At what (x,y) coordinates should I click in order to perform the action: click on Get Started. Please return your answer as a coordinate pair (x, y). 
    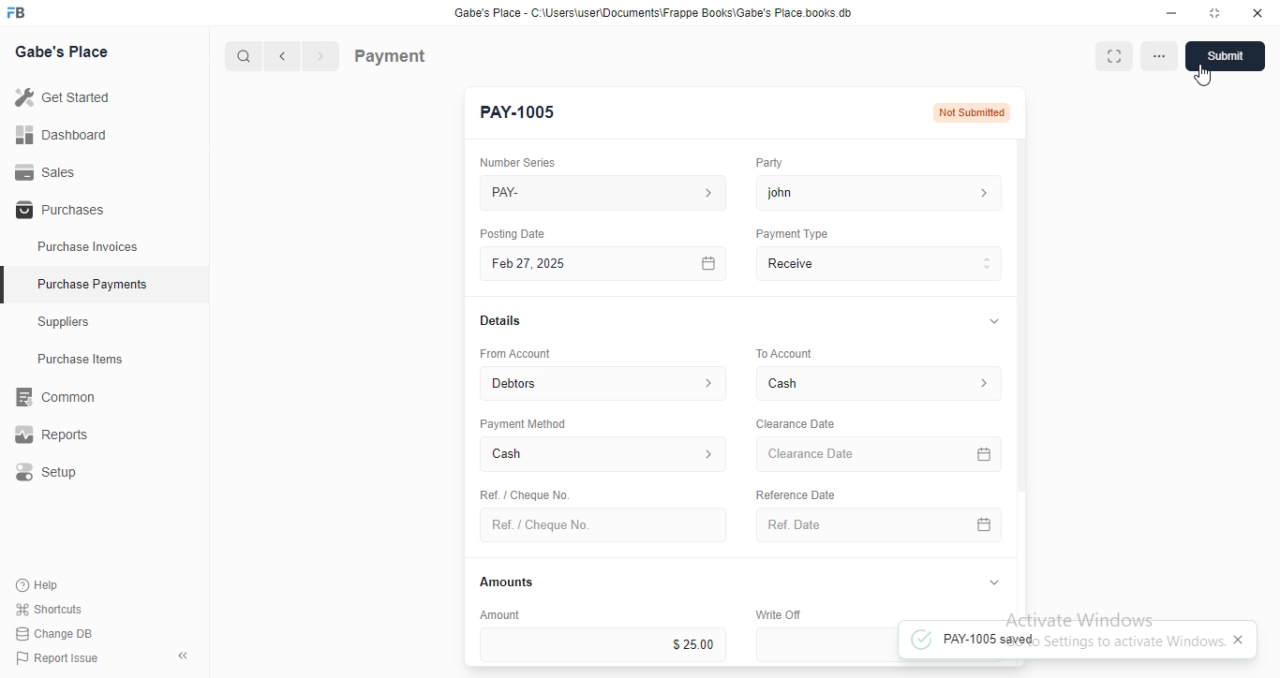
    Looking at the image, I should click on (62, 96).